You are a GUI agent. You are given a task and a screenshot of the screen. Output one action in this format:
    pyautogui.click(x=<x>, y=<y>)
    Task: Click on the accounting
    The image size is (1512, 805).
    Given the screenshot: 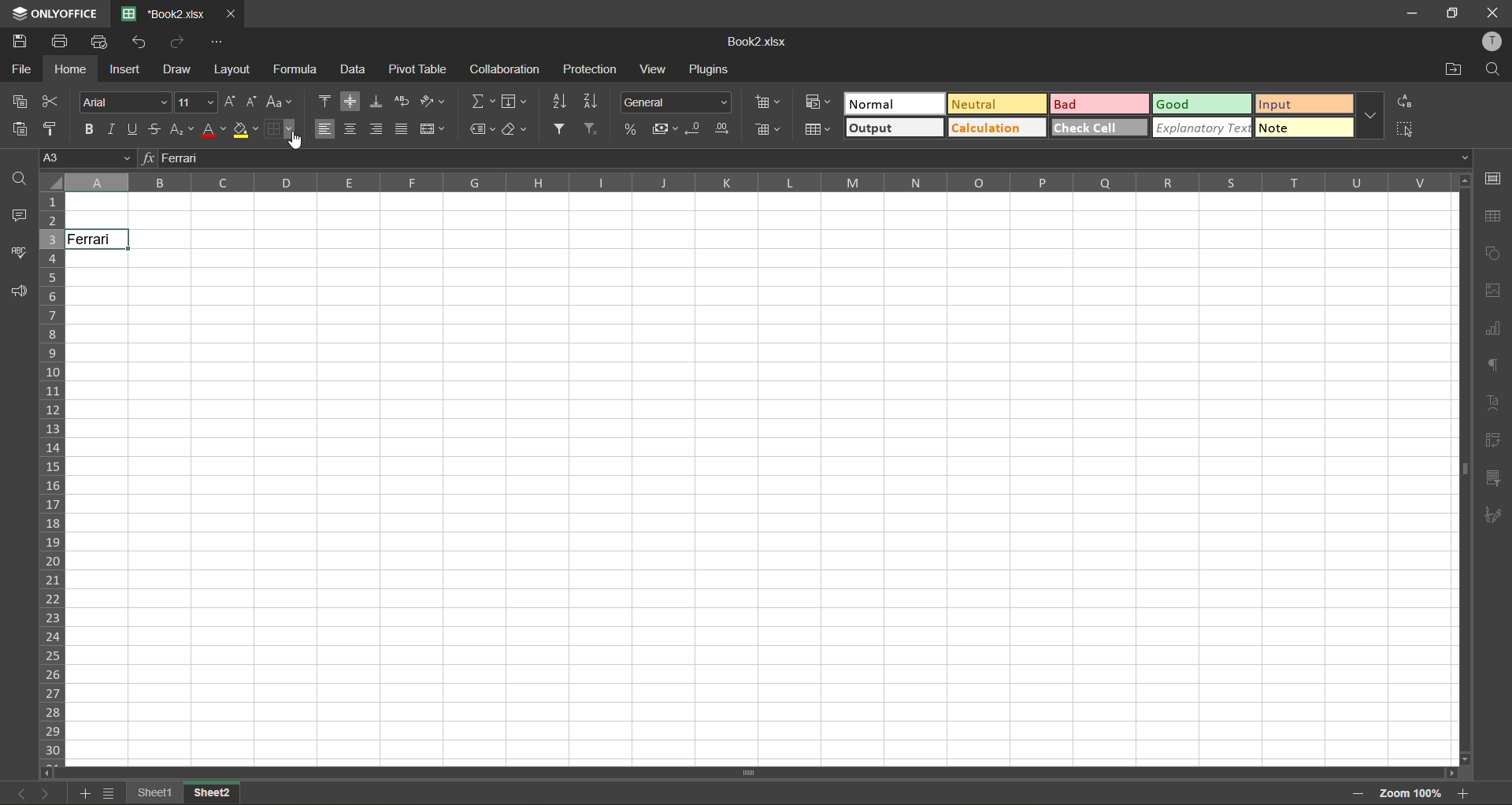 What is the action you would take?
    pyautogui.click(x=663, y=131)
    